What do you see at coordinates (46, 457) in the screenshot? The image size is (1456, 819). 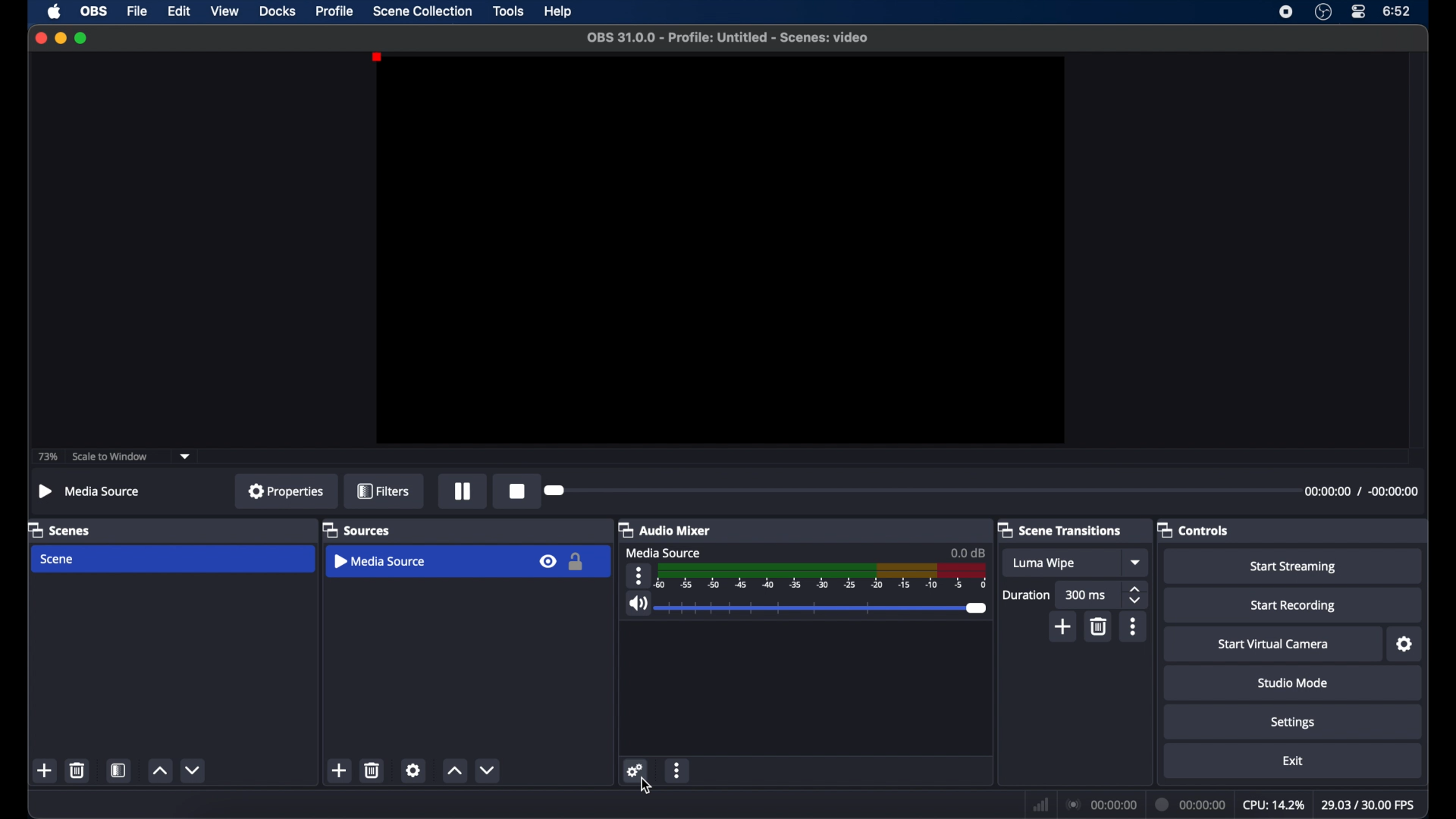 I see `73%` at bounding box center [46, 457].